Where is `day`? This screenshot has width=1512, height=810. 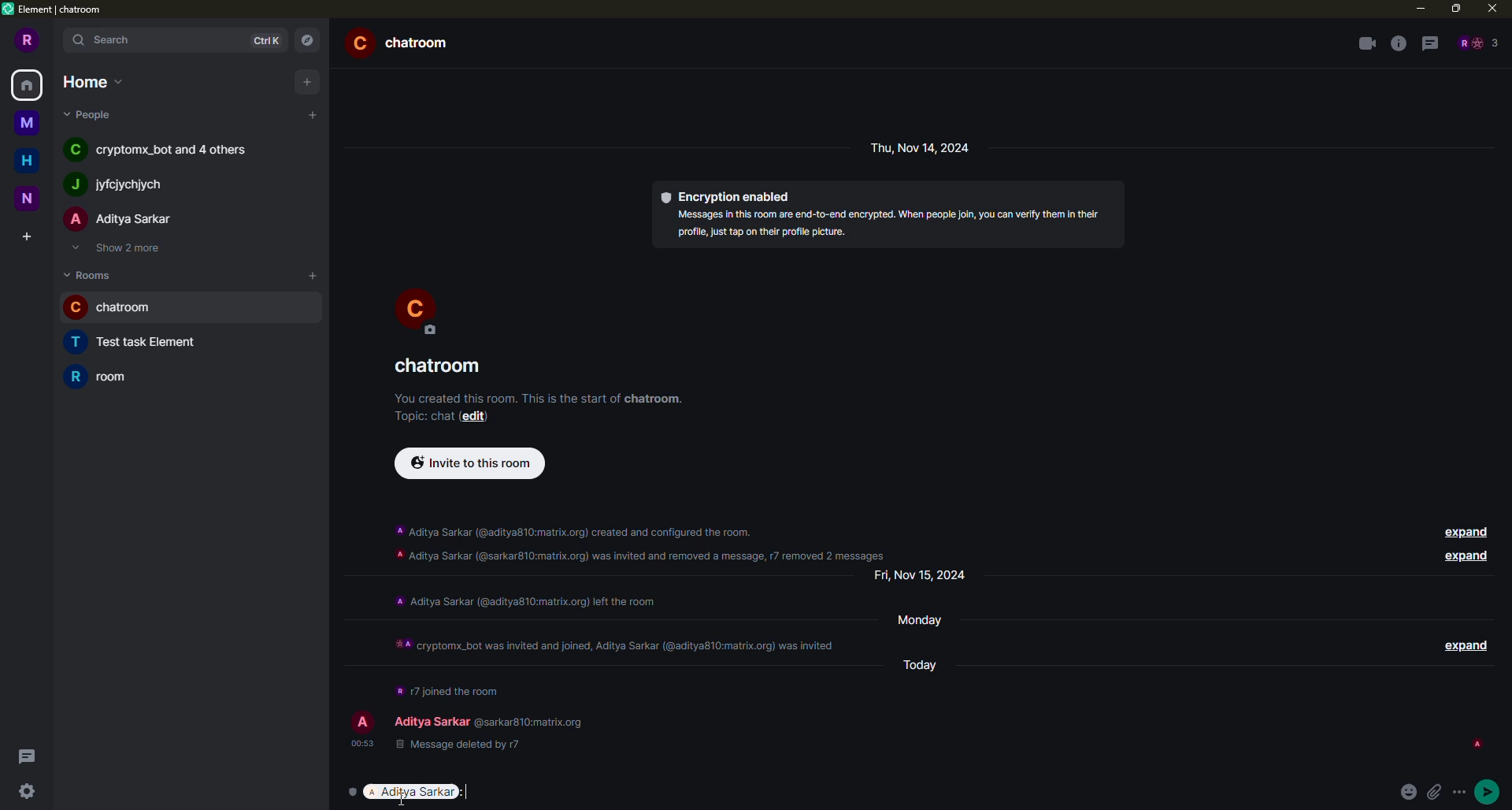 day is located at coordinates (928, 663).